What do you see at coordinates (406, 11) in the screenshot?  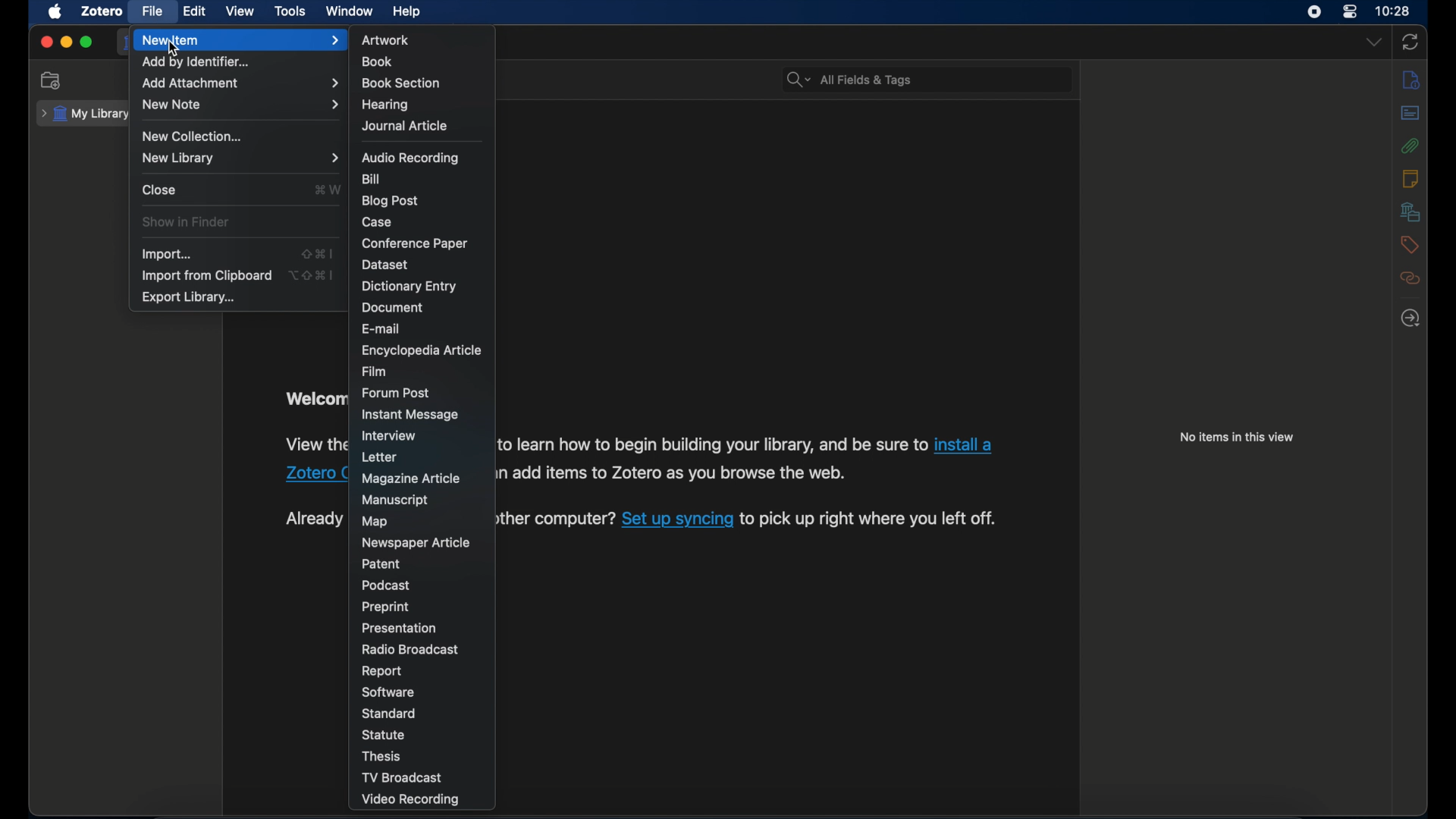 I see `help` at bounding box center [406, 11].